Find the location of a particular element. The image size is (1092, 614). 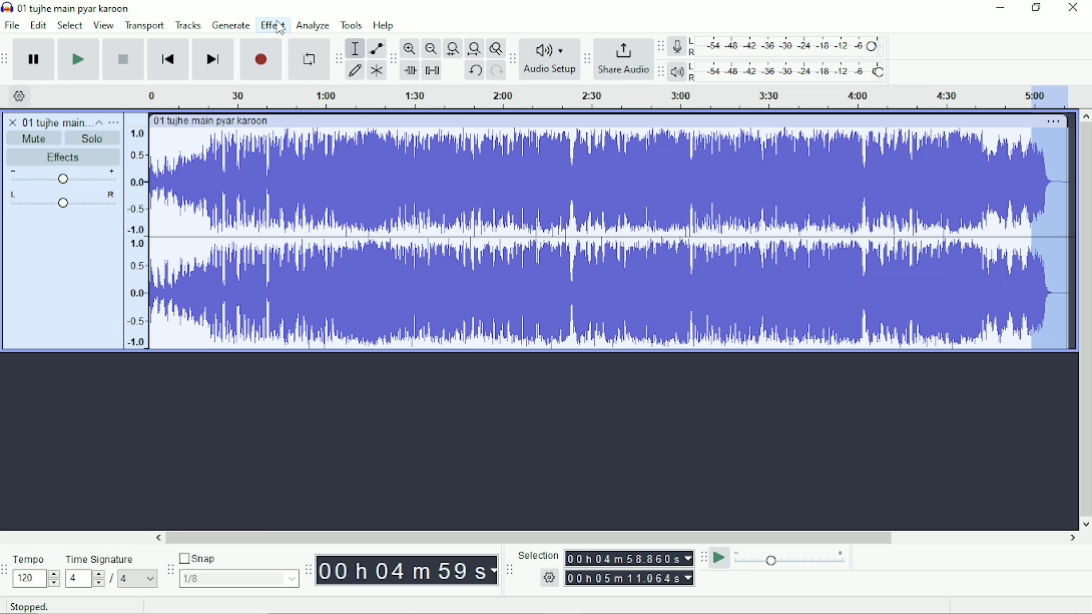

Restore down is located at coordinates (1038, 7).